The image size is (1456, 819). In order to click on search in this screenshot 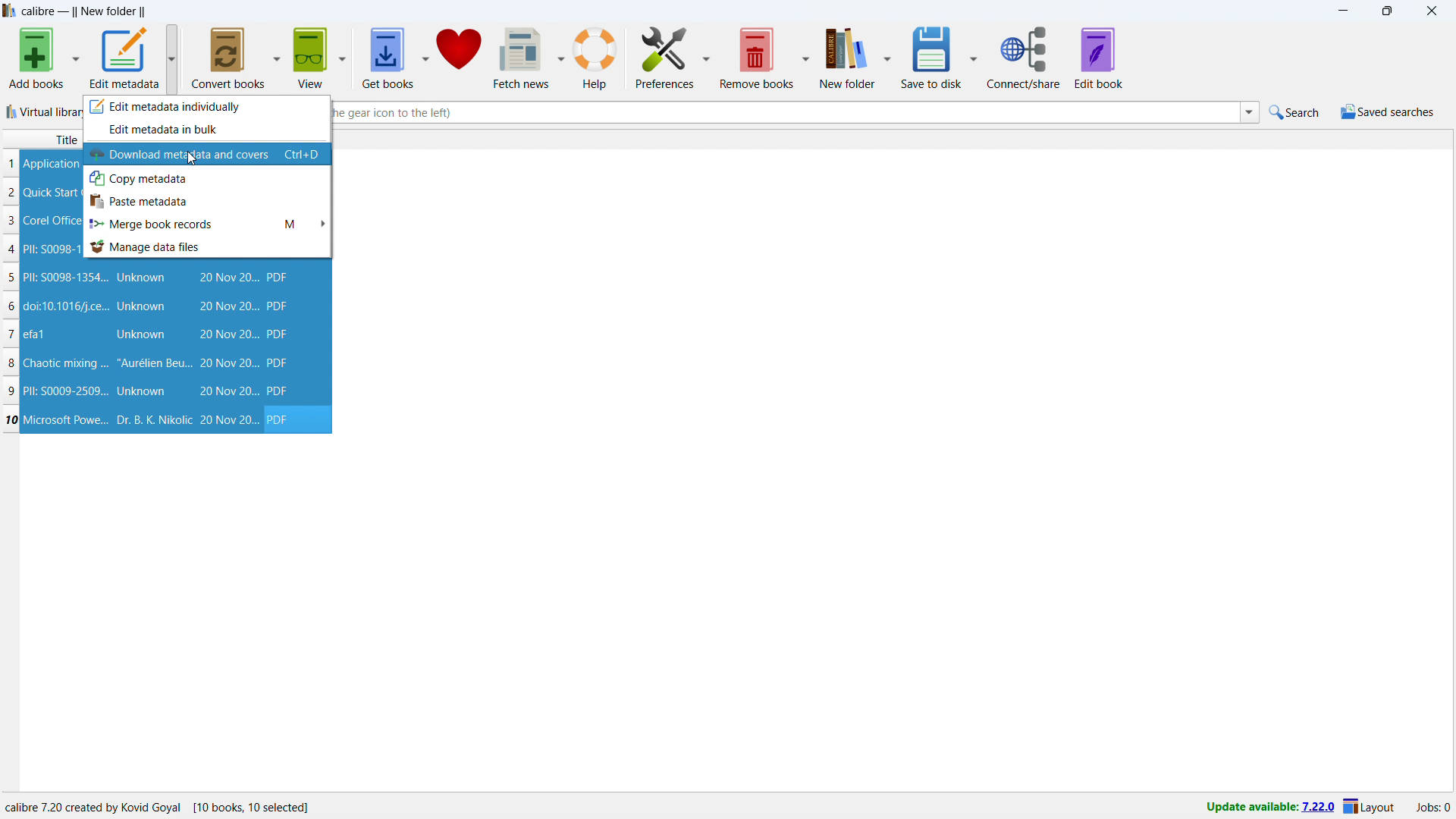, I will do `click(1296, 111)`.